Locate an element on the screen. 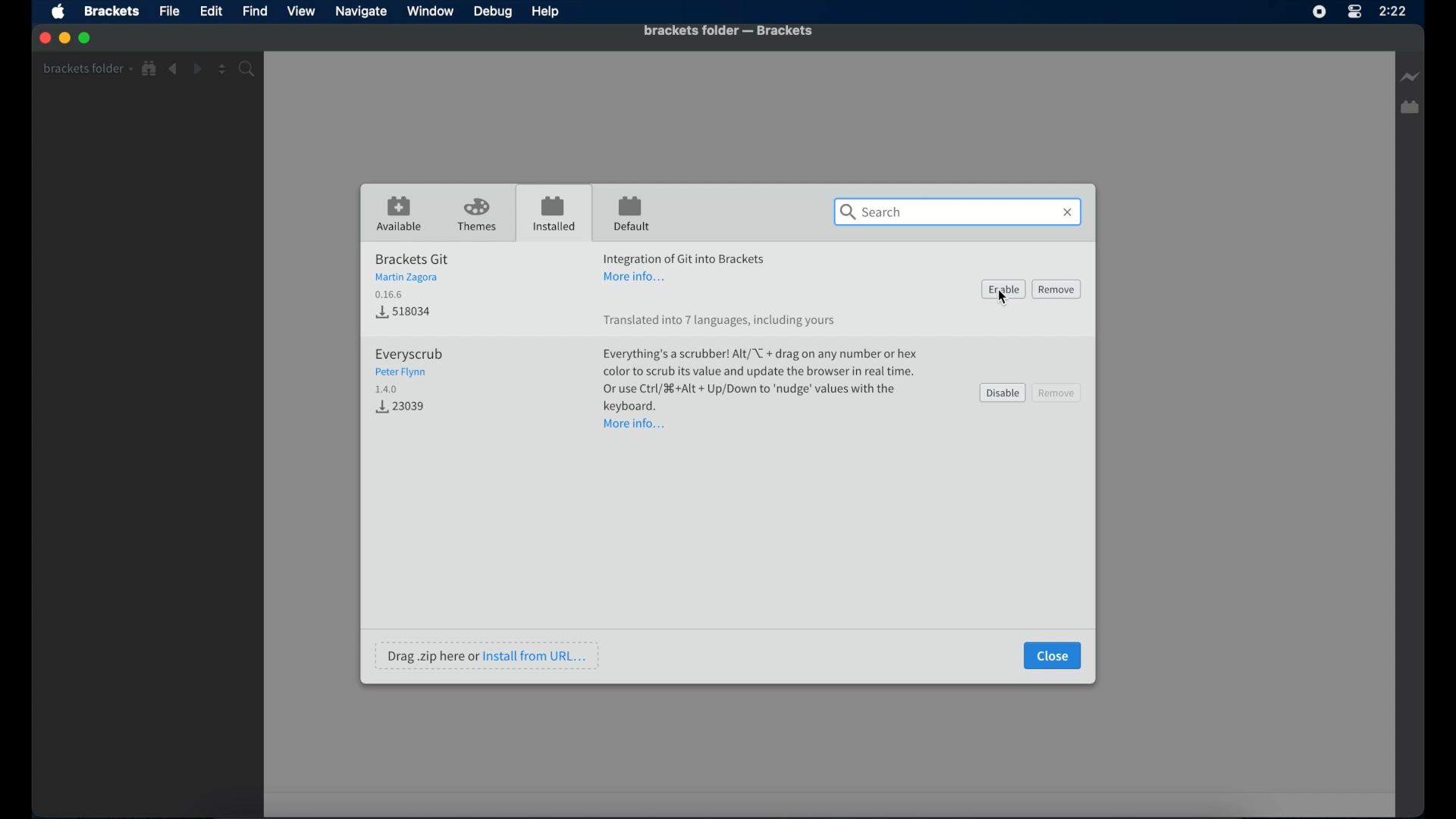 The width and height of the screenshot is (1456, 819). enable is located at coordinates (1003, 289).